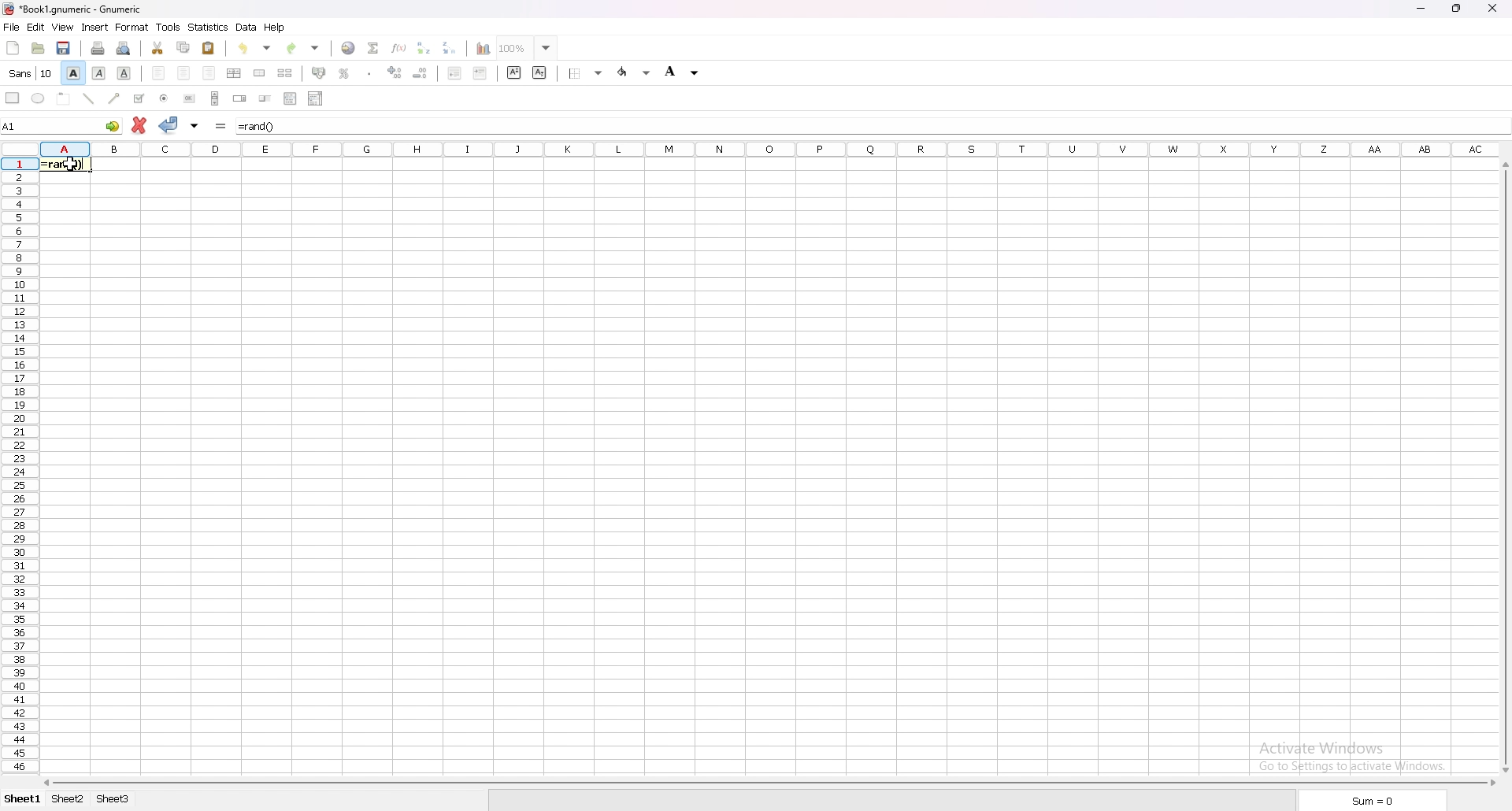 This screenshot has width=1512, height=811. What do you see at coordinates (159, 48) in the screenshot?
I see `cut` at bounding box center [159, 48].